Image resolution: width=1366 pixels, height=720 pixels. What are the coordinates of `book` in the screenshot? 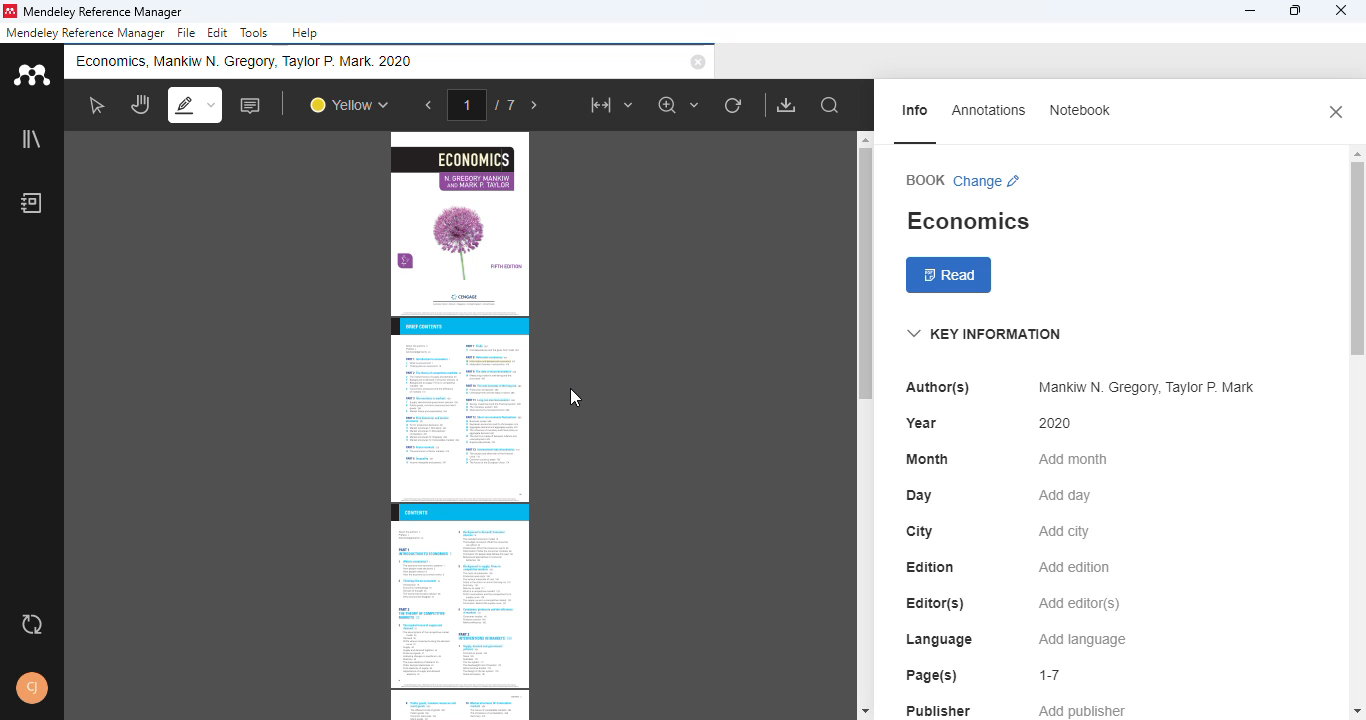 It's located at (925, 179).